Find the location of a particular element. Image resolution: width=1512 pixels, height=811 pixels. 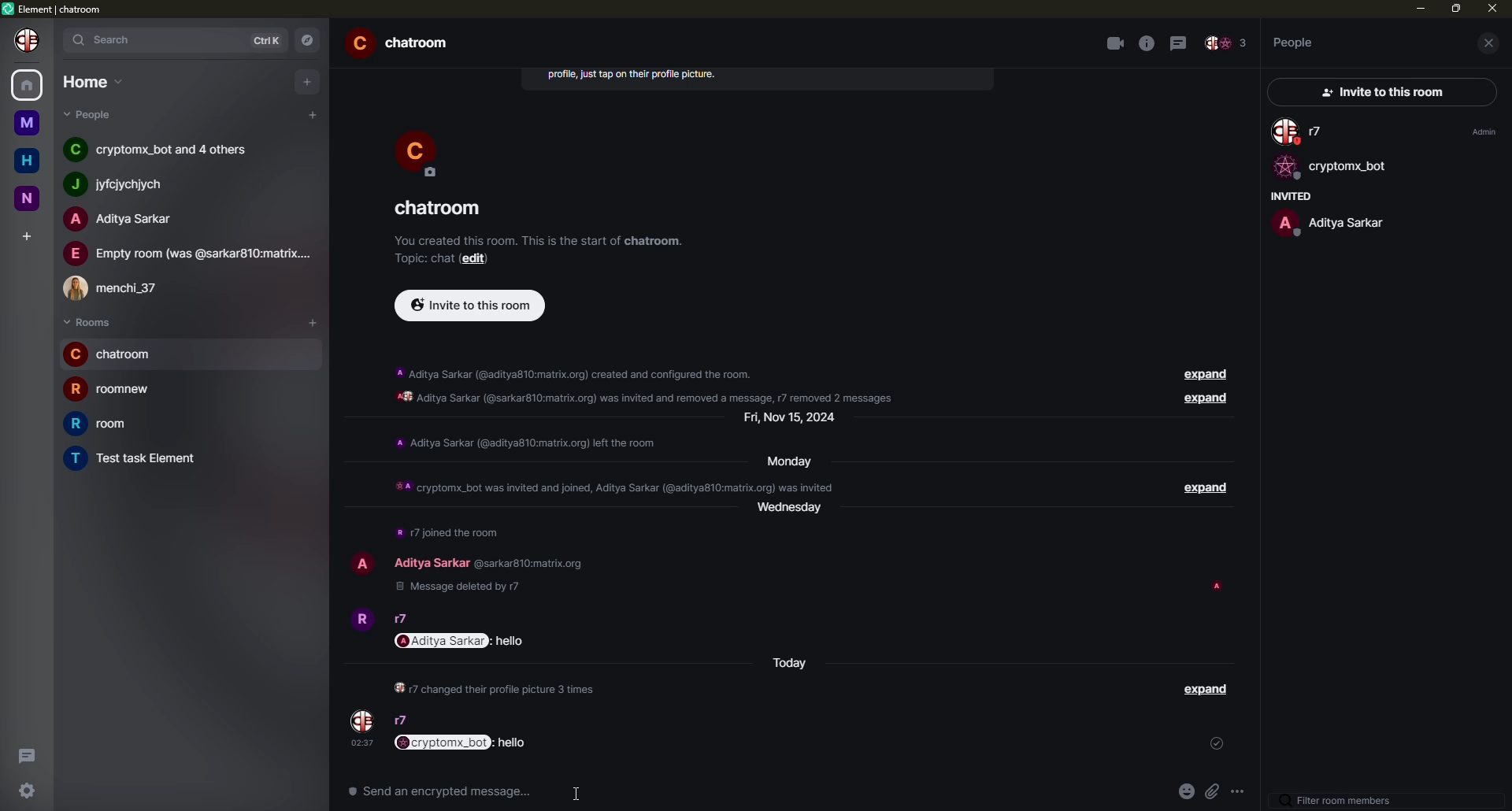

seen is located at coordinates (1220, 587).